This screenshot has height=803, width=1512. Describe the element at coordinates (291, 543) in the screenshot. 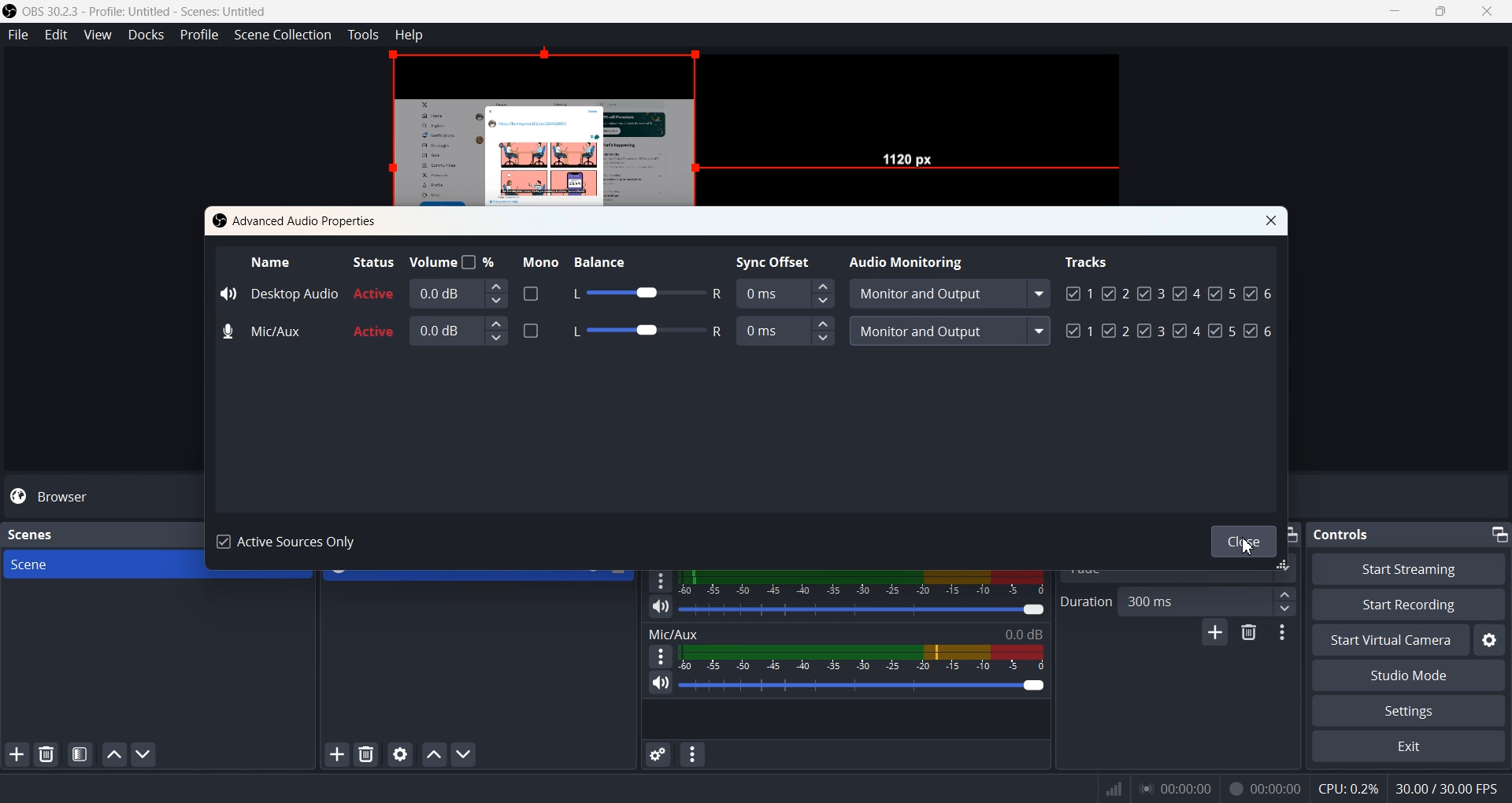

I see `Active Sources Only` at that location.